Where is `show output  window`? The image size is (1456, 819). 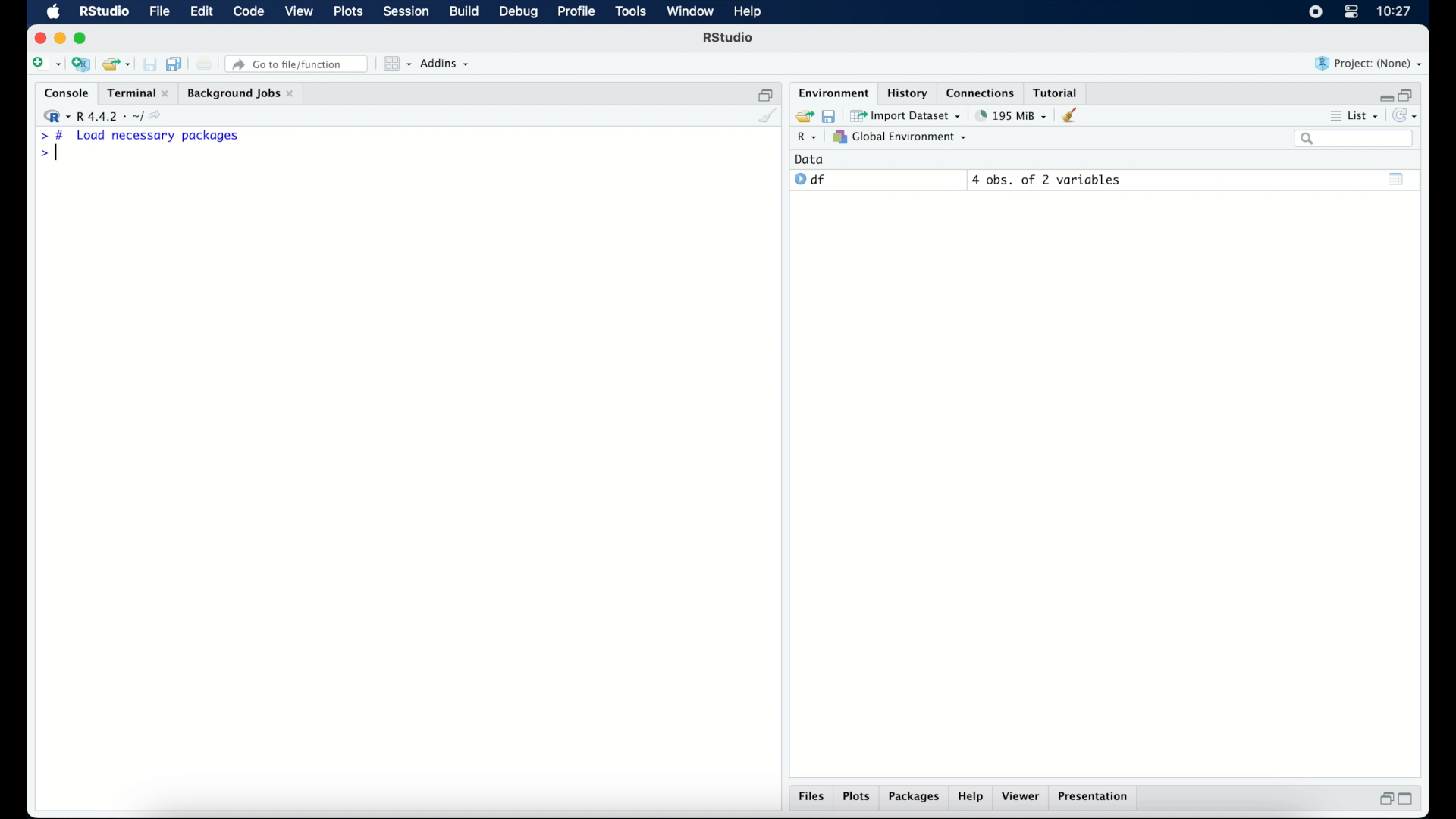
show output  window is located at coordinates (1397, 178).